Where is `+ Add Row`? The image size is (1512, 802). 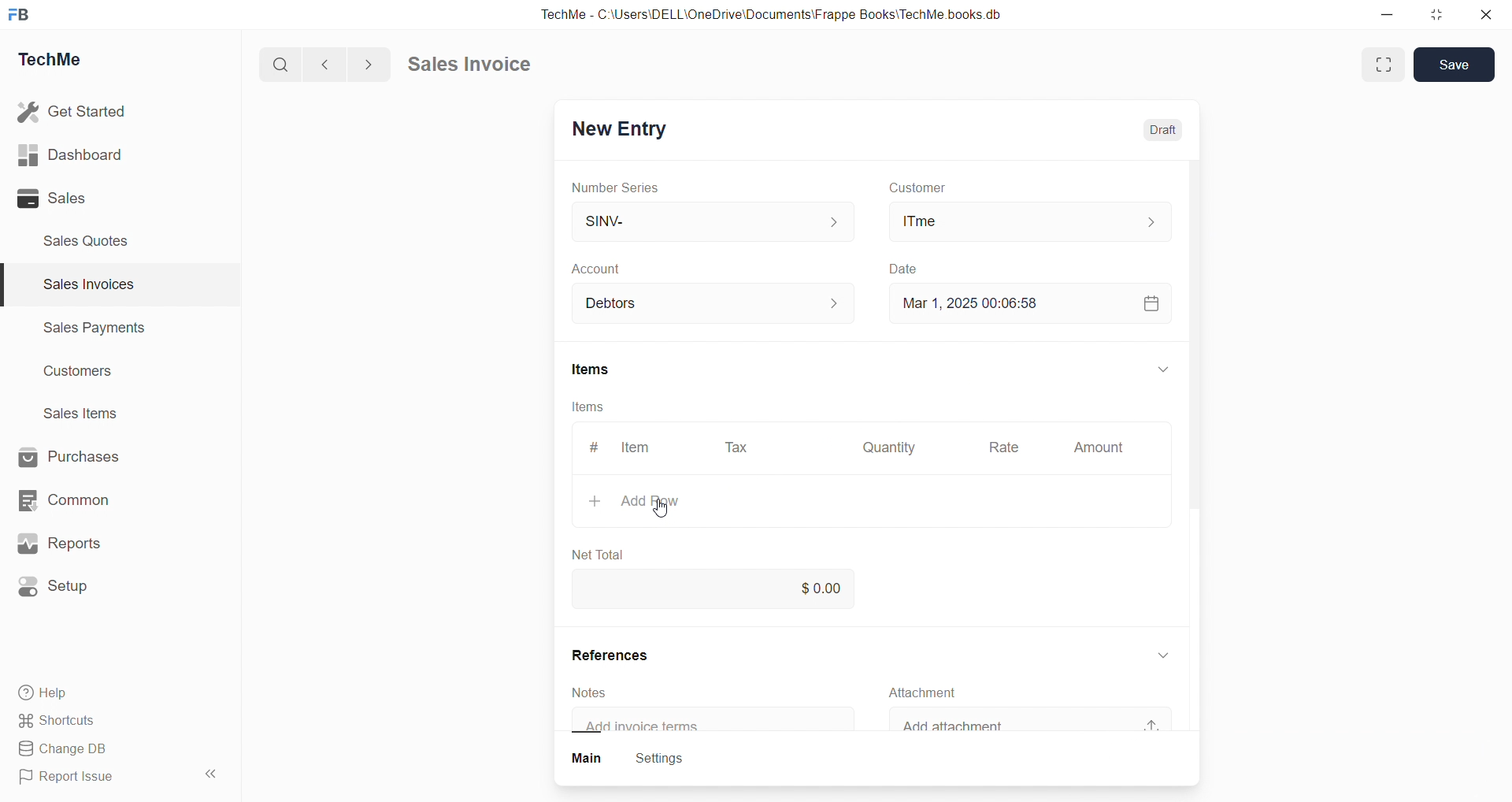 + Add Row is located at coordinates (656, 501).